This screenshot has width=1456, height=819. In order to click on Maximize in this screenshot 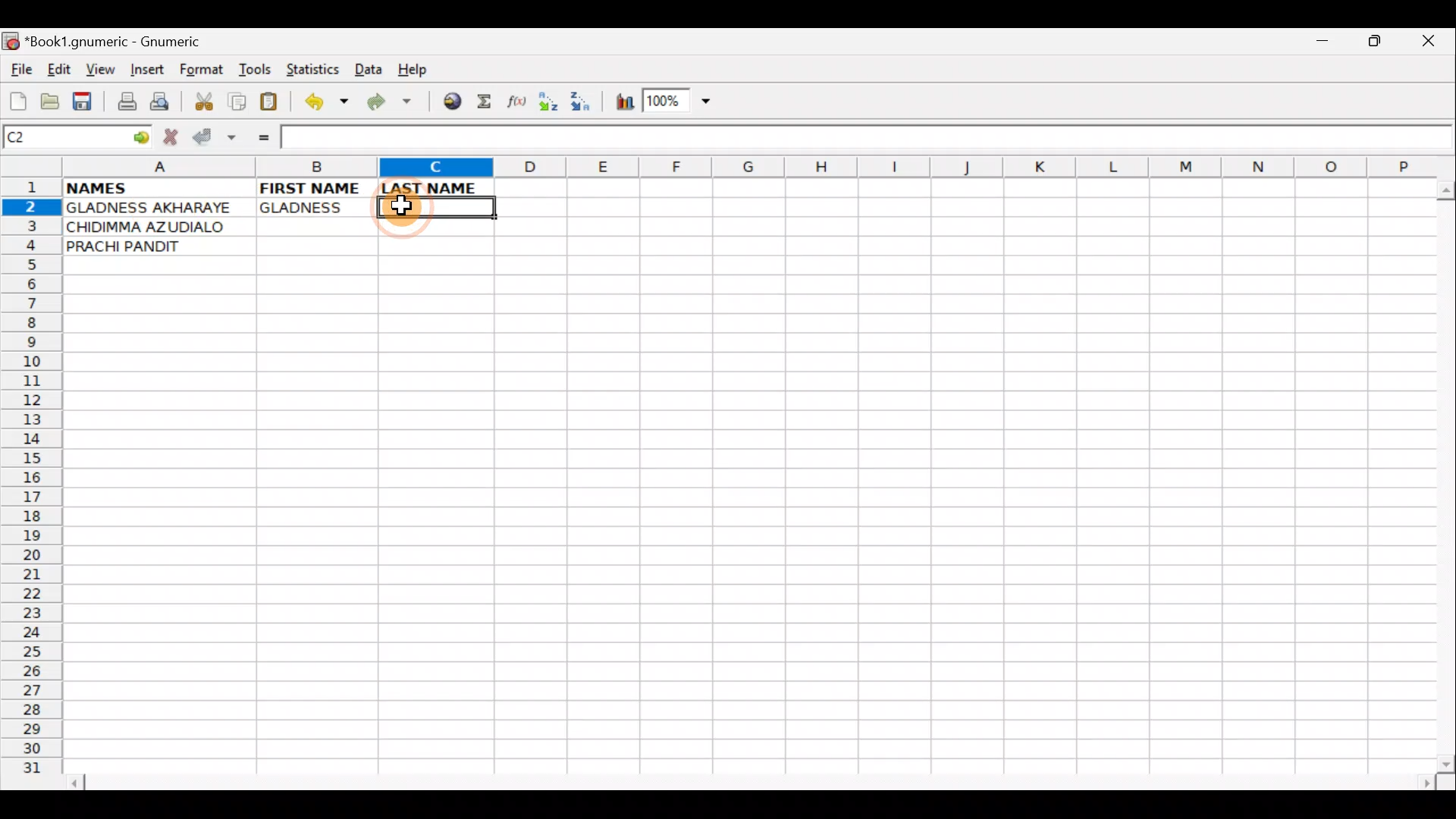, I will do `click(1377, 44)`.